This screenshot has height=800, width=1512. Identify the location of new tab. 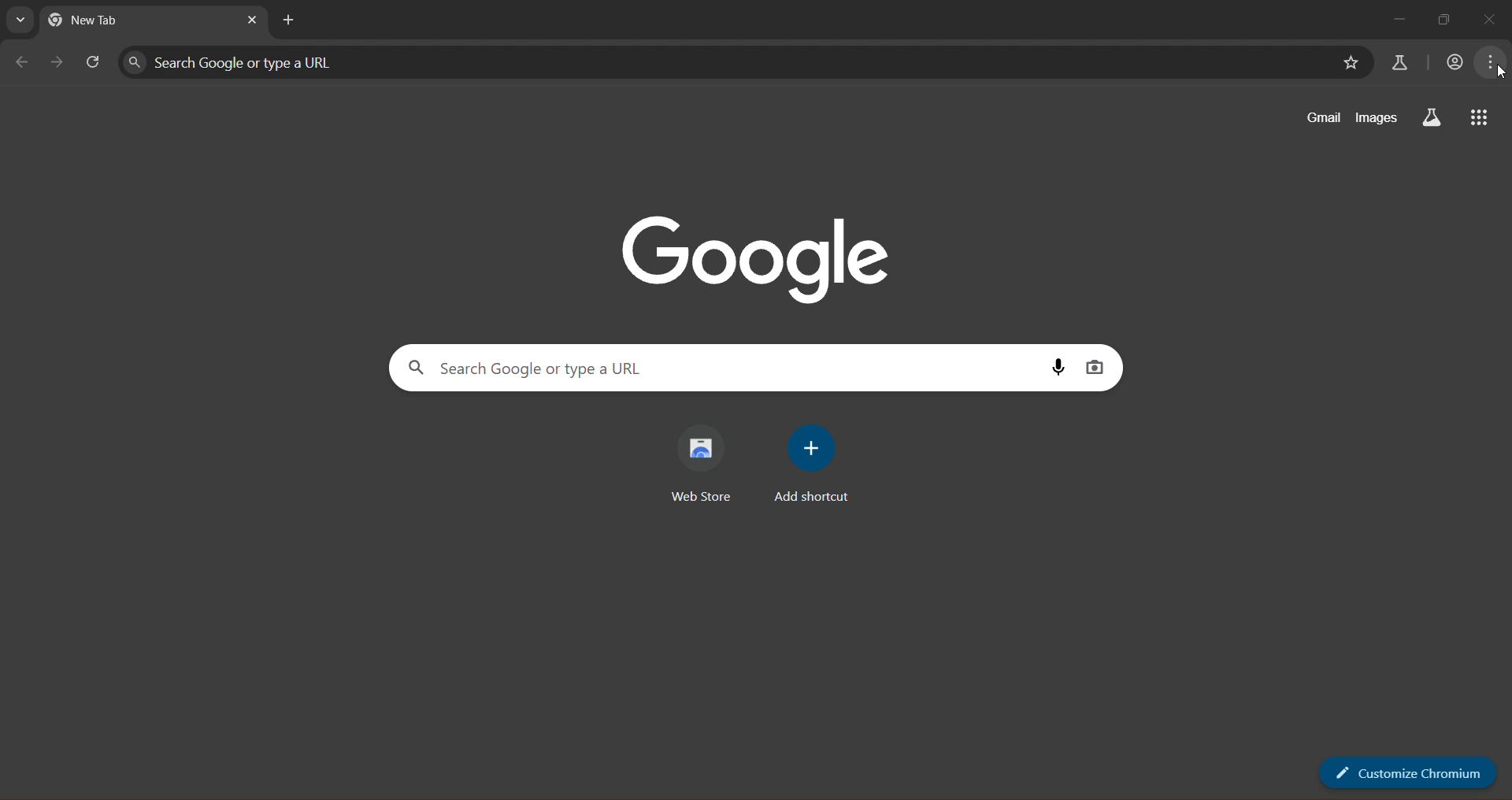
(287, 20).